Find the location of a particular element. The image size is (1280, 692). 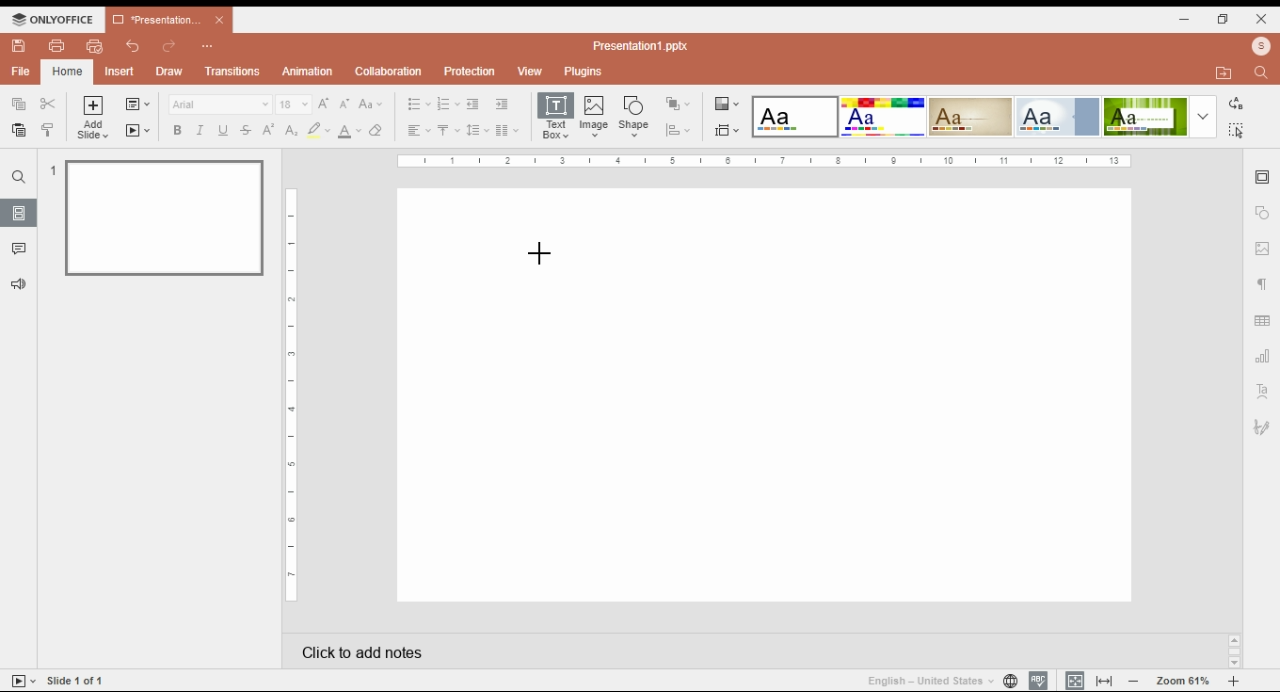

insert is located at coordinates (122, 71).